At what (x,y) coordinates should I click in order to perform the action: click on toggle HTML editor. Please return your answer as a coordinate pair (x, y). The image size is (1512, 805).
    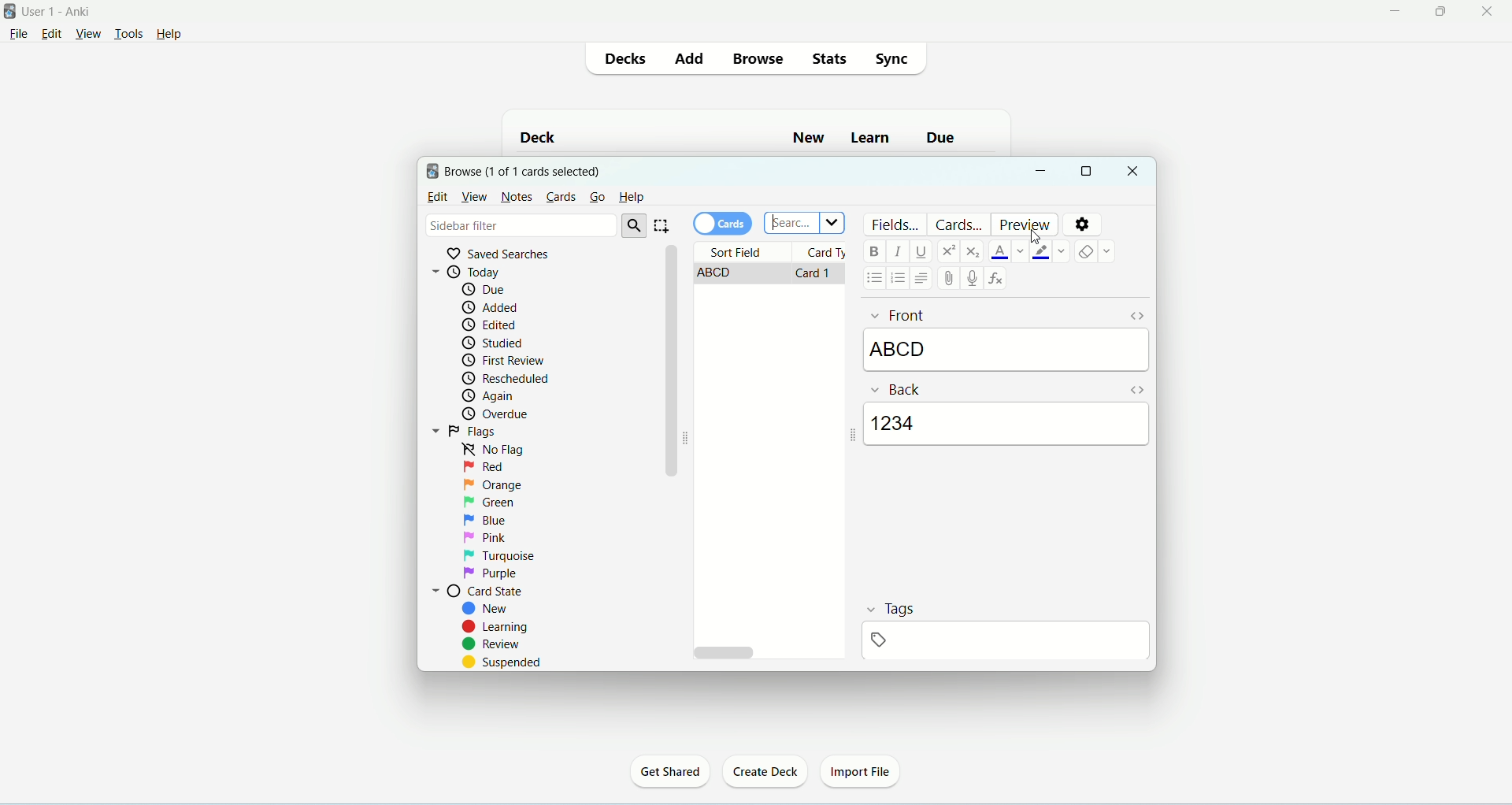
    Looking at the image, I should click on (1136, 389).